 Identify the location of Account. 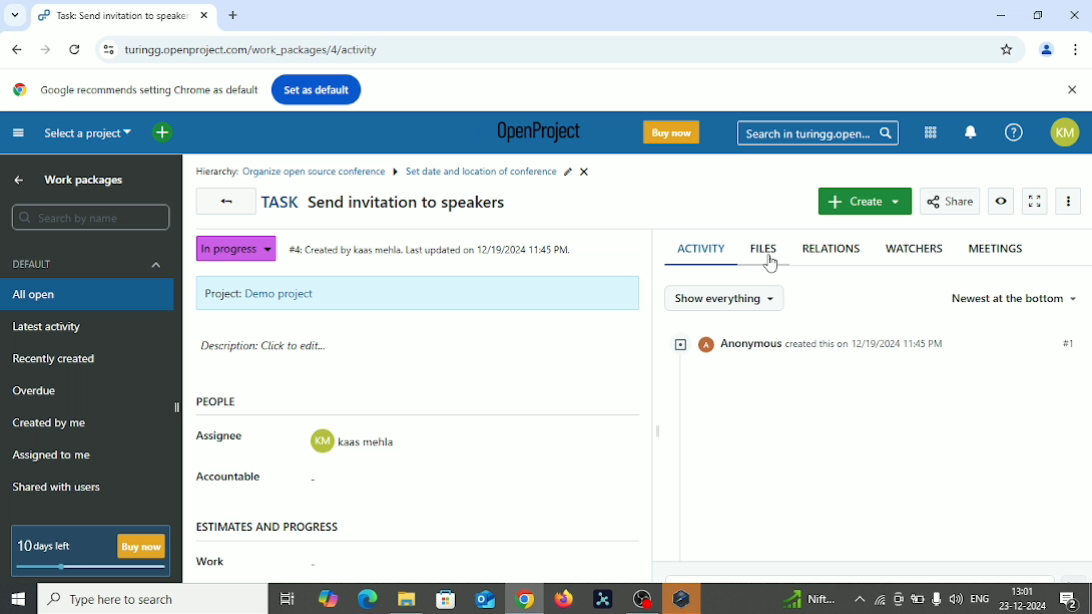
(1047, 51).